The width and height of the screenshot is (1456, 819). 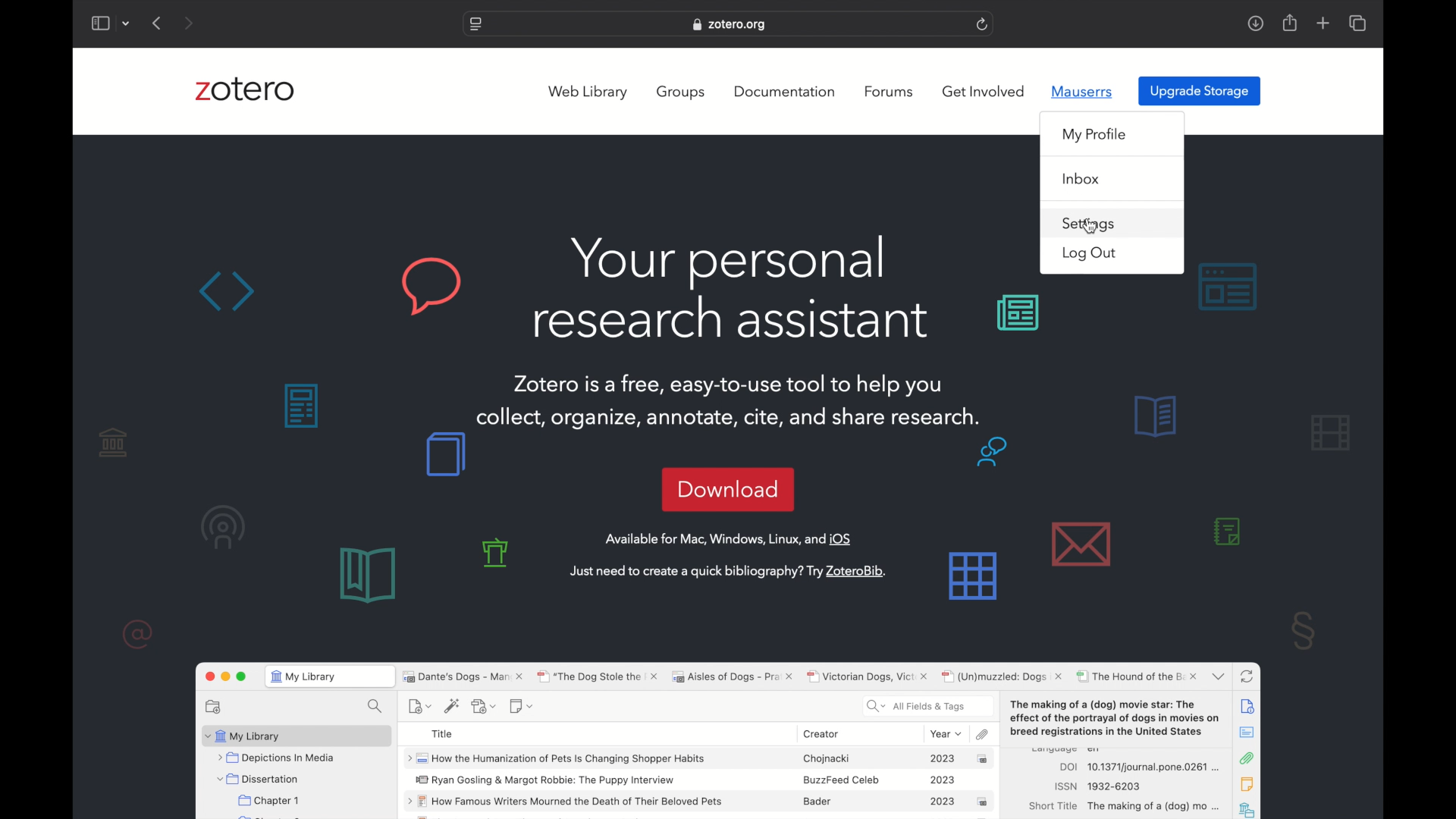 I want to click on mauserrs, so click(x=1083, y=92).